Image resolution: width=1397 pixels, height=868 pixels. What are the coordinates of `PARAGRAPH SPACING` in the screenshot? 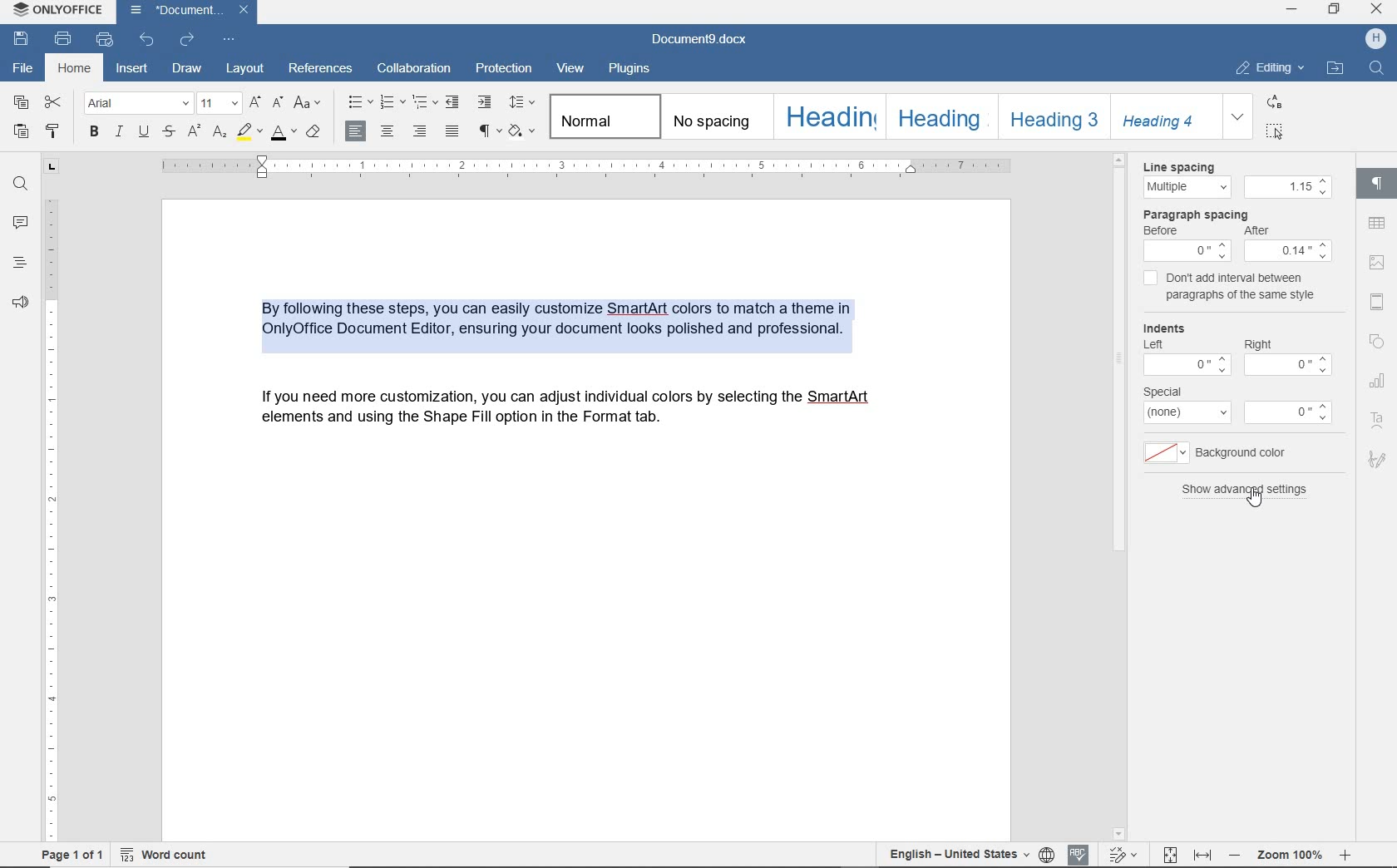 It's located at (1197, 215).